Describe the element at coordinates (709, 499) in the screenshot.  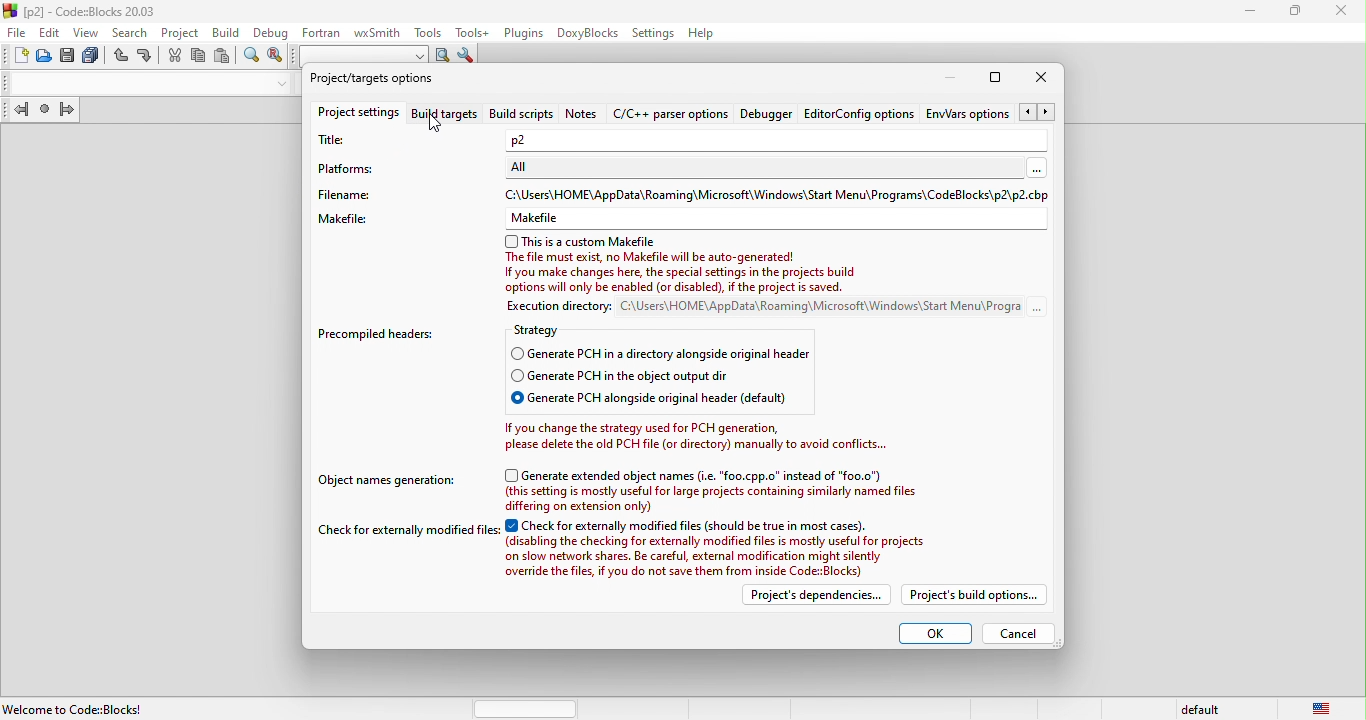
I see `(this setting is mostly useful for large projects containing similarly named files
differing on extension only)` at that location.